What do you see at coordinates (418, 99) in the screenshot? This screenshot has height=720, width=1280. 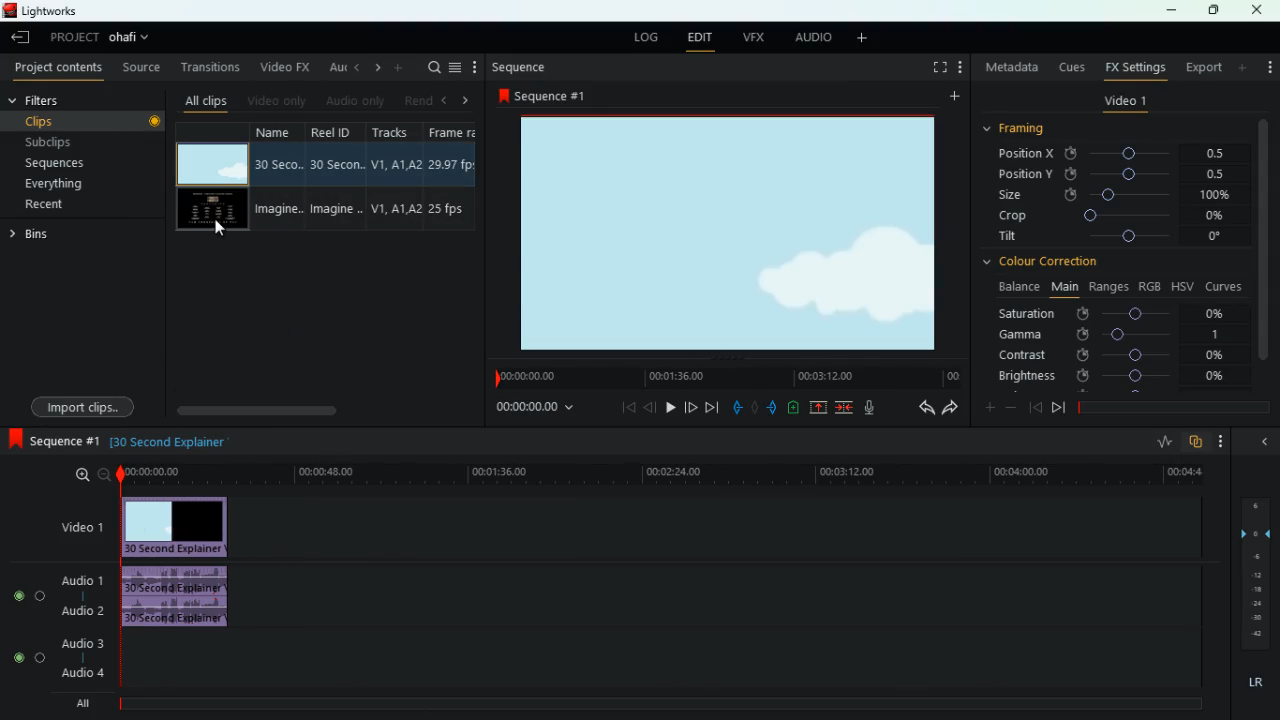 I see `rend` at bounding box center [418, 99].